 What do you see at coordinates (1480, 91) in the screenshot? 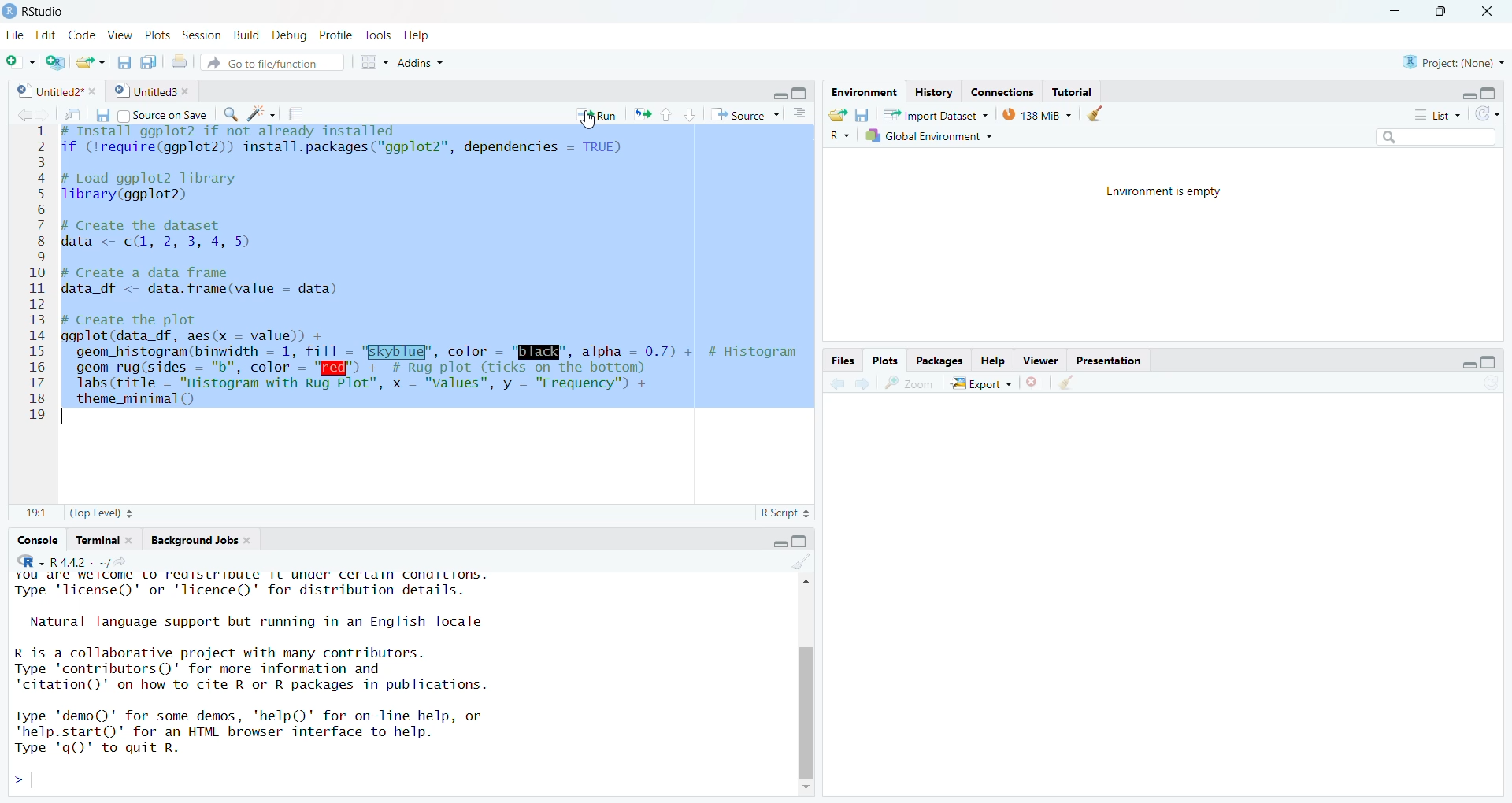
I see `maximize/minimize` at bounding box center [1480, 91].